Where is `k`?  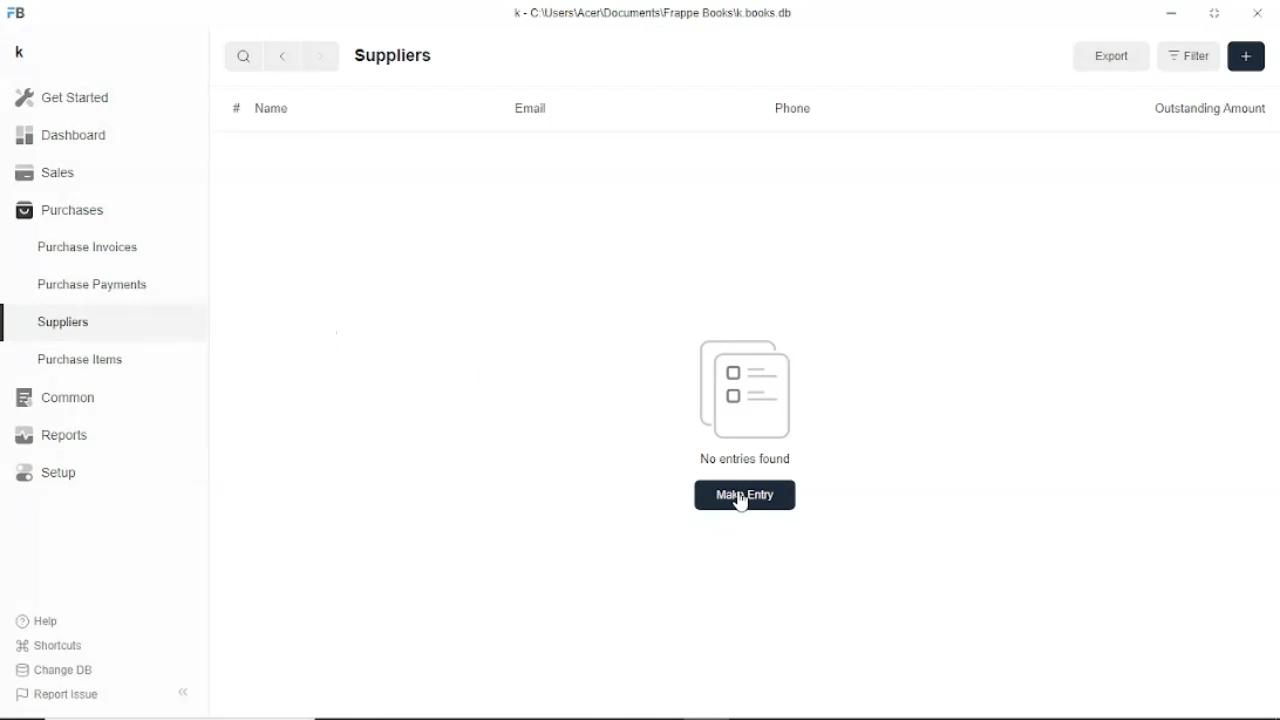
k is located at coordinates (19, 52).